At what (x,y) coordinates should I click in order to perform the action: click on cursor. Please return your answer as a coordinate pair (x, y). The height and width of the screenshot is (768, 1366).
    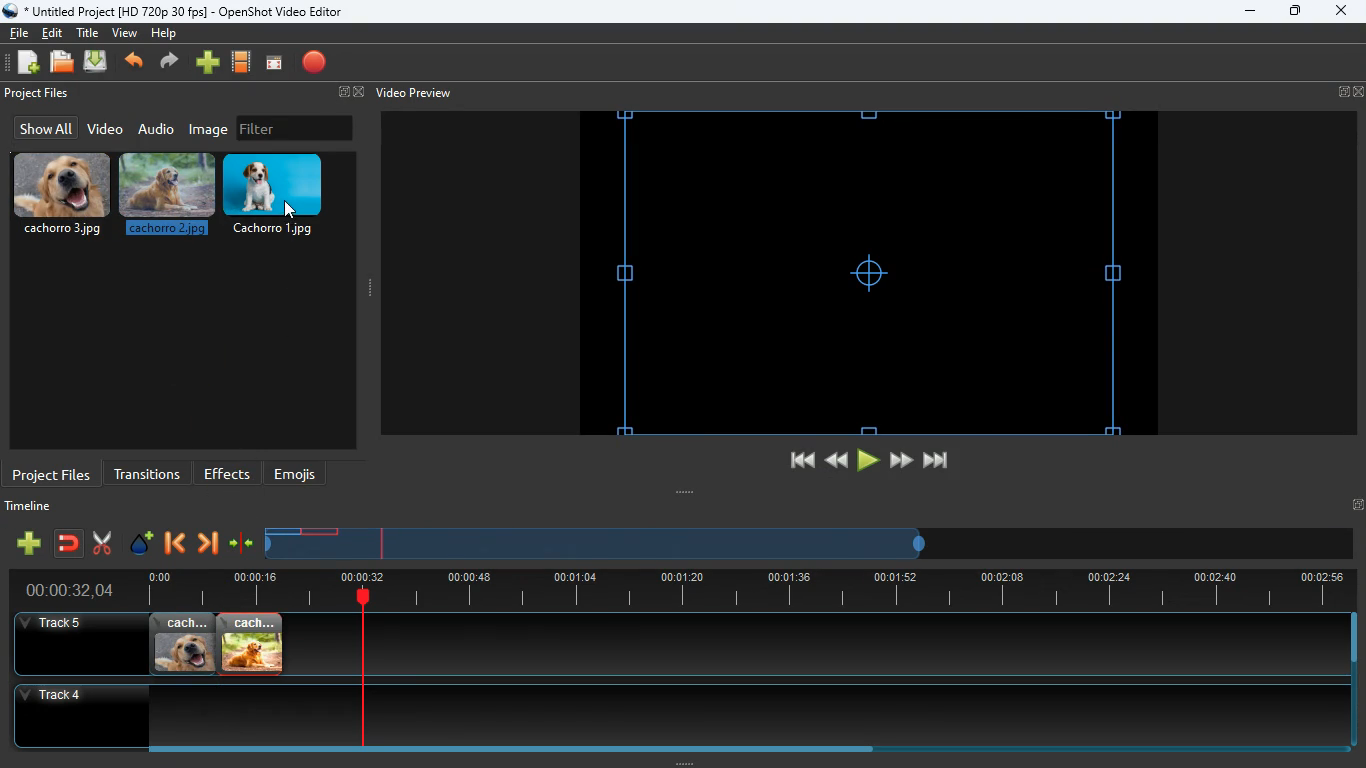
    Looking at the image, I should click on (288, 209).